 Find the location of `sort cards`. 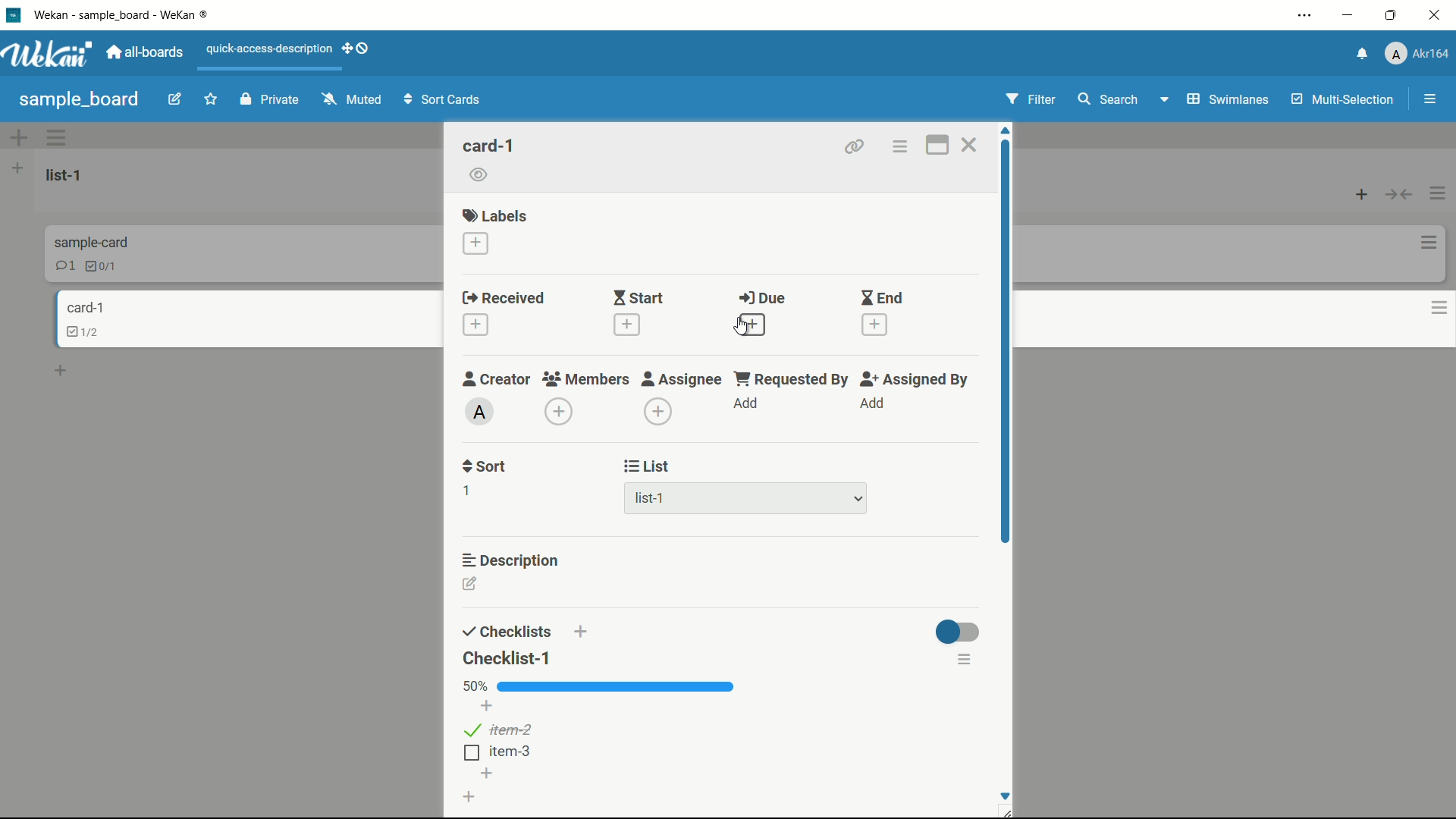

sort cards is located at coordinates (441, 99).